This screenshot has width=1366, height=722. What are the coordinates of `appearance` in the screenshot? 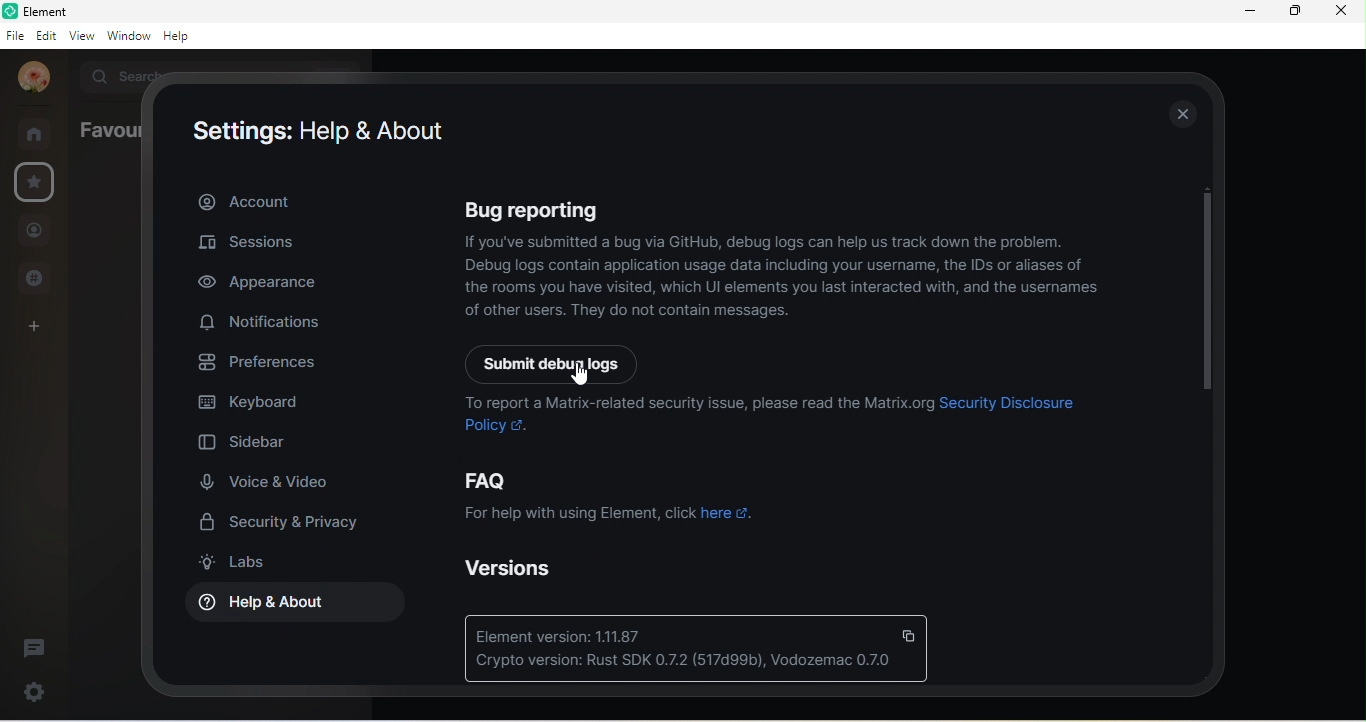 It's located at (273, 286).